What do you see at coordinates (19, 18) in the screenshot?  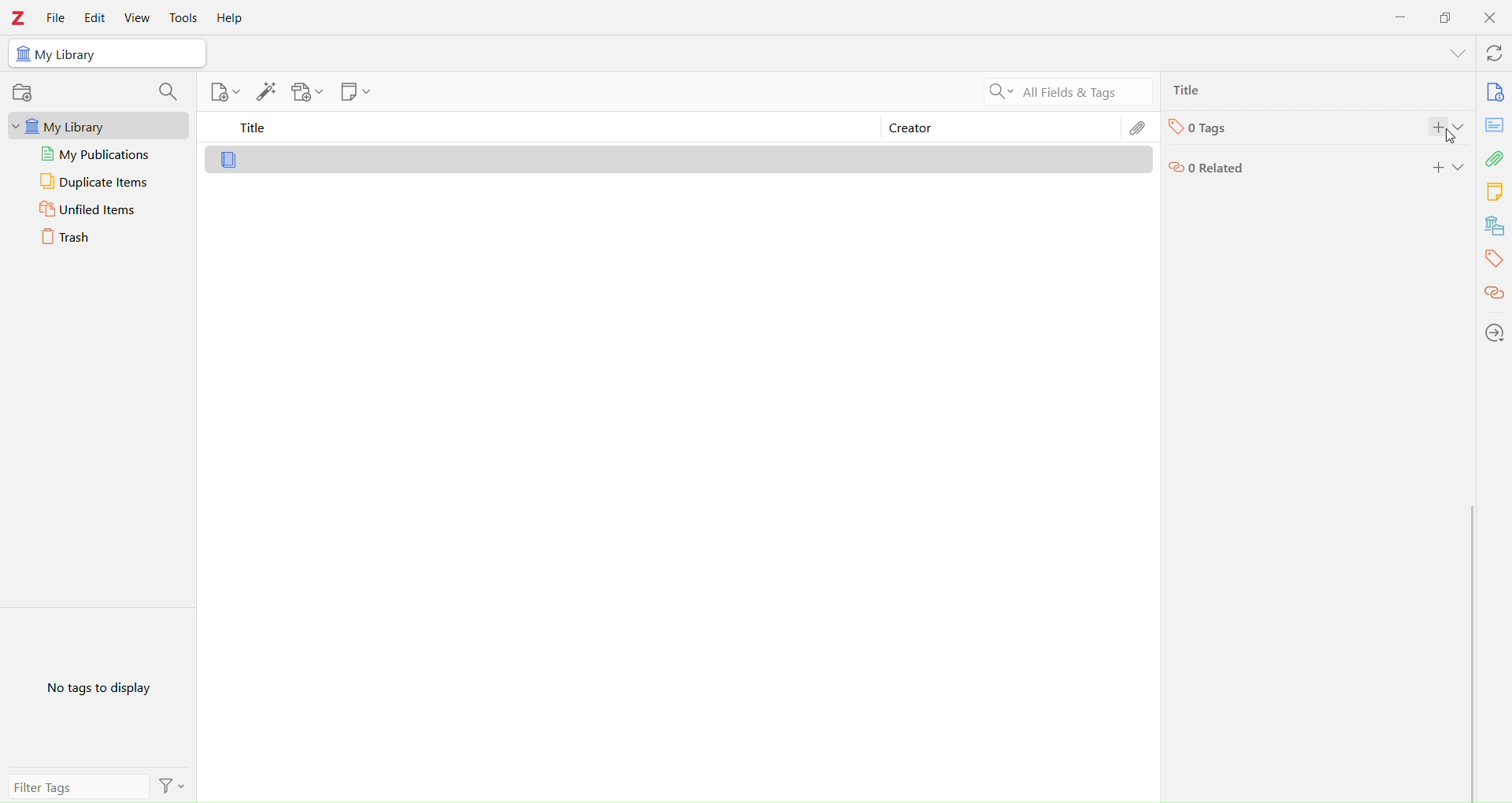 I see `Zotero` at bounding box center [19, 18].